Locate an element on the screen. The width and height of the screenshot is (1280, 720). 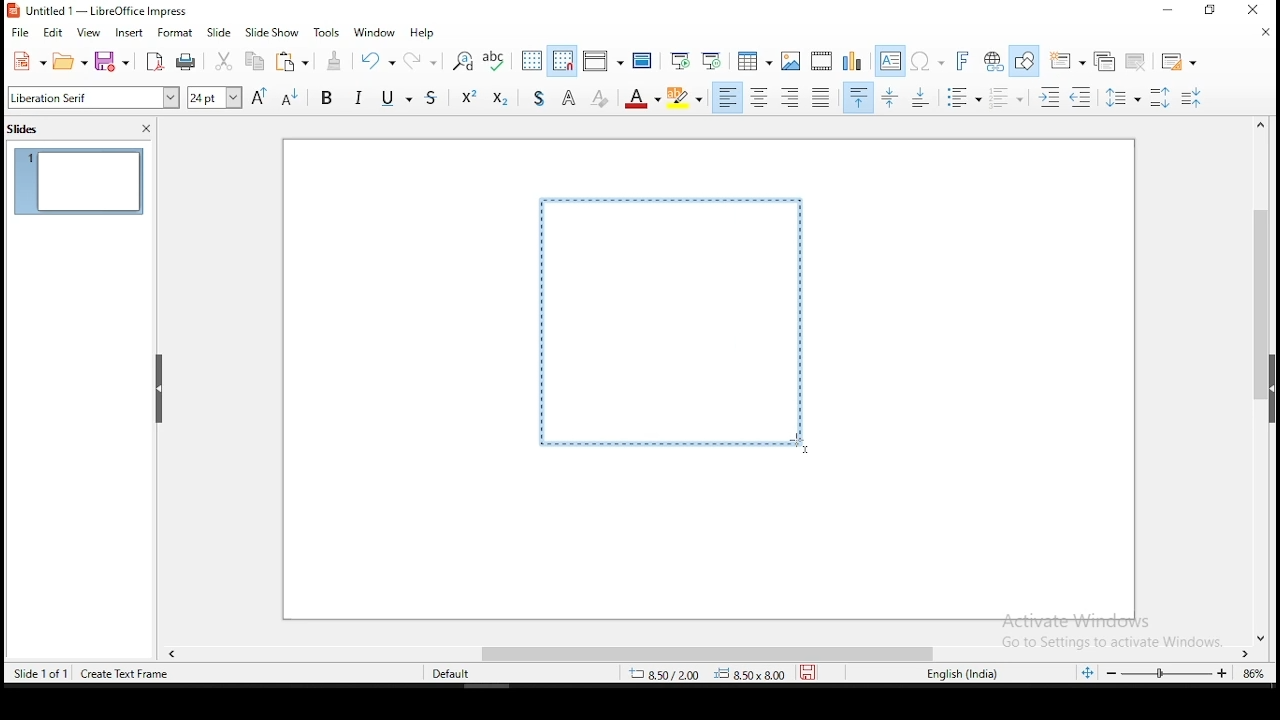
align bottom is located at coordinates (918, 99).